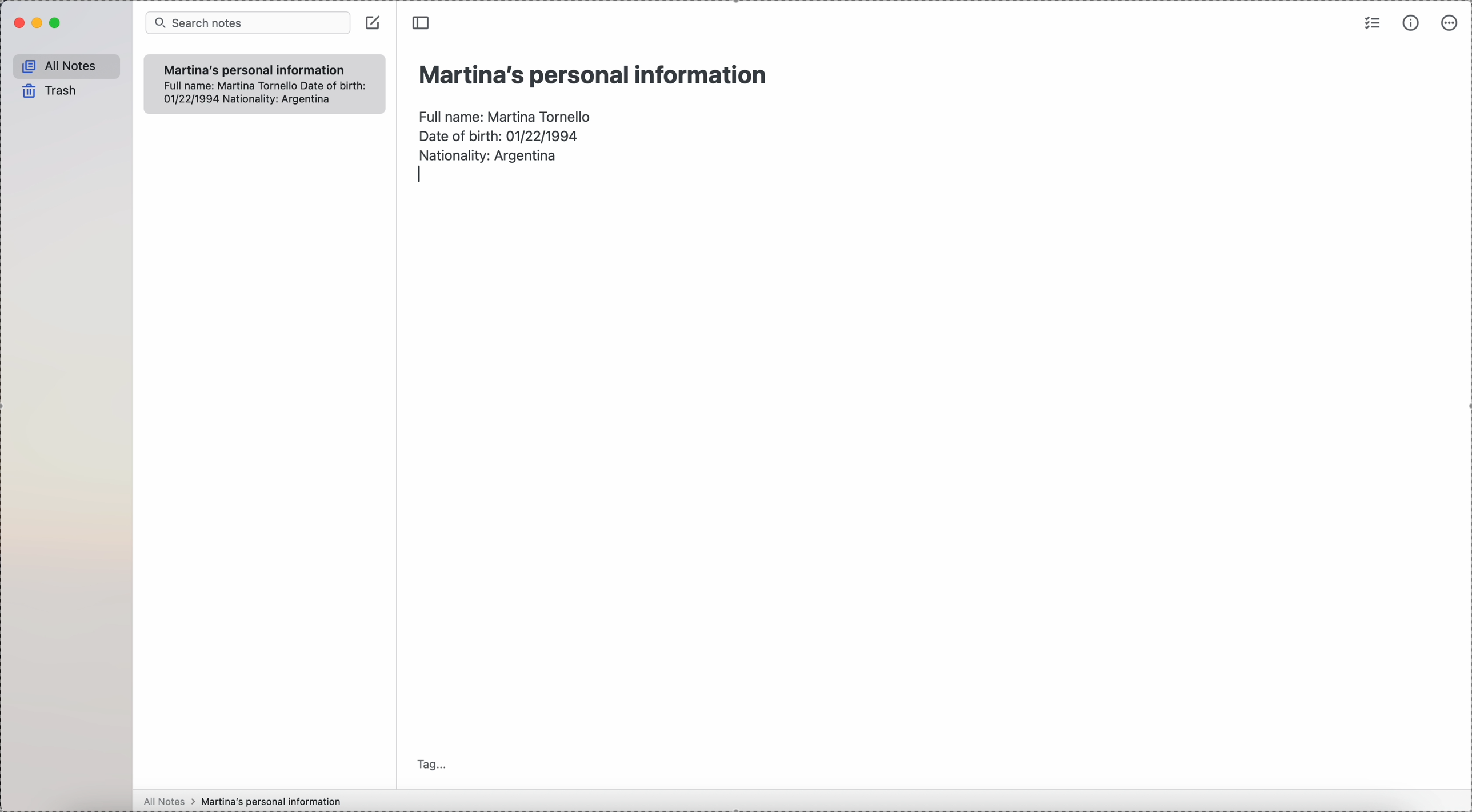 Image resolution: width=1472 pixels, height=812 pixels. I want to click on Martina's personal information Full name: Martina Tornello date of birth: 01/22/1994 Nationality: Argentina, so click(263, 82).